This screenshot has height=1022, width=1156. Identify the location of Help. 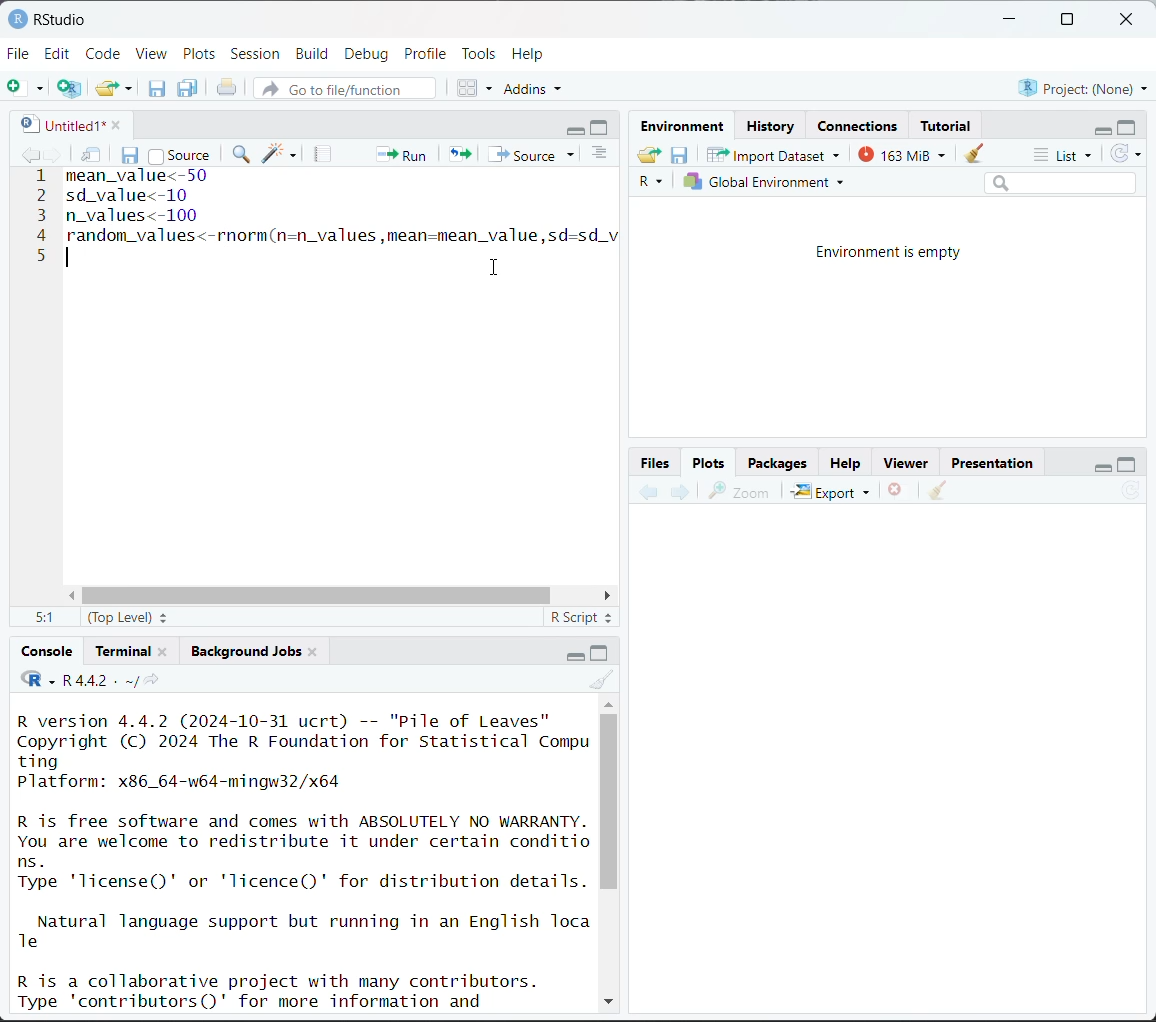
(530, 53).